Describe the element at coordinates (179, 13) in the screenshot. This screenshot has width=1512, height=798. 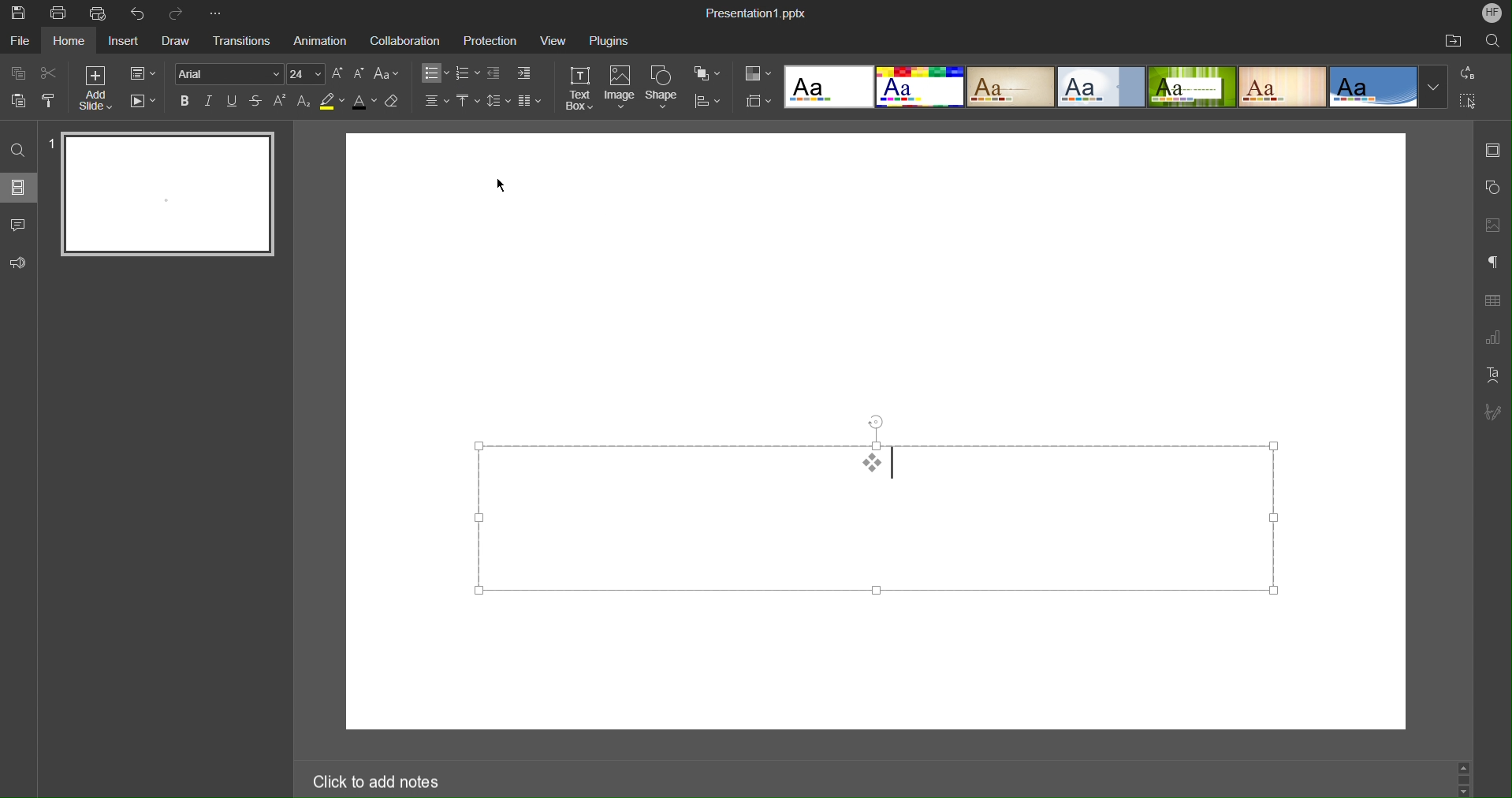
I see `Redo` at that location.